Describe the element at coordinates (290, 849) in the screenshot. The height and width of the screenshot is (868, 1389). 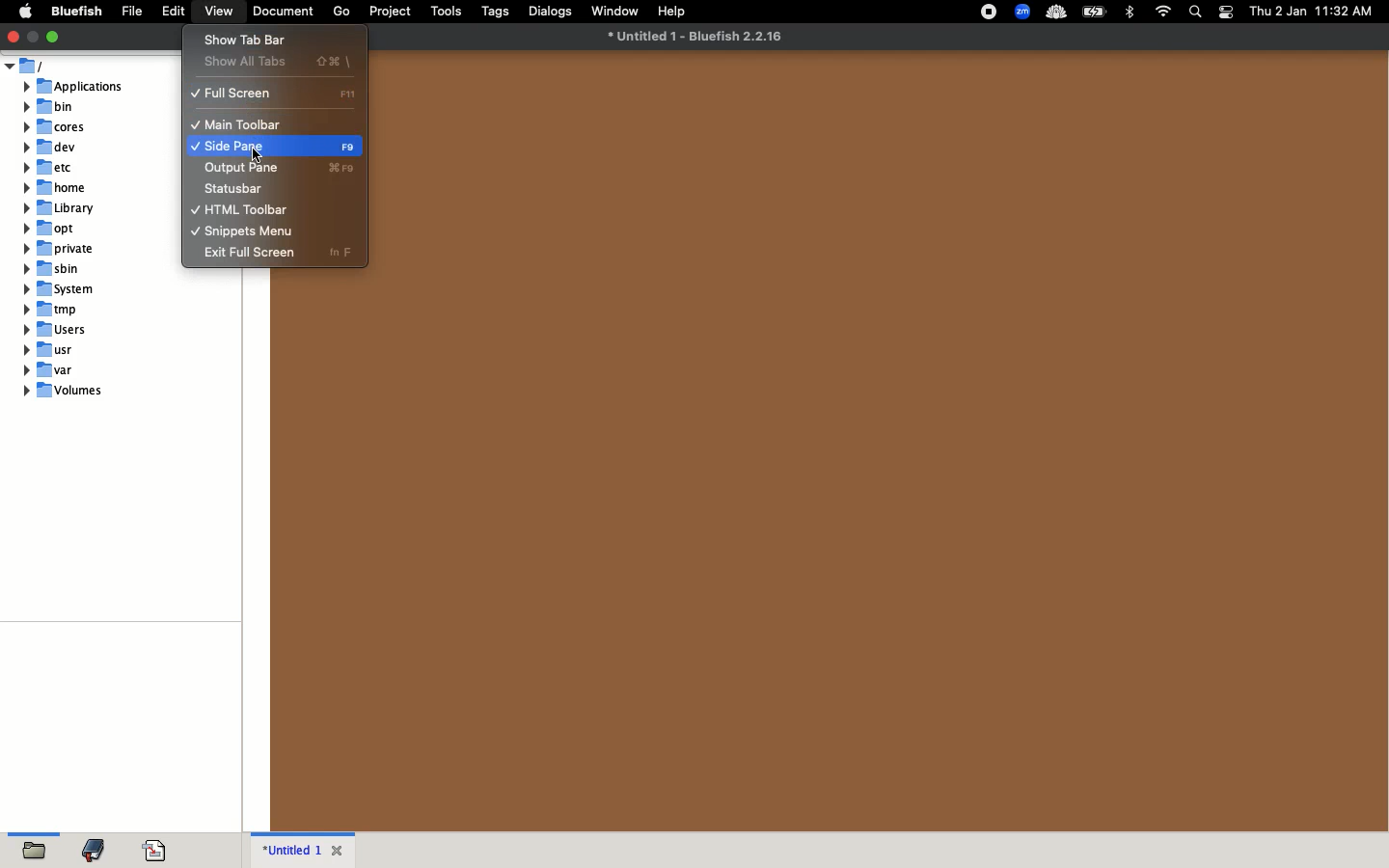
I see `untitled 1` at that location.